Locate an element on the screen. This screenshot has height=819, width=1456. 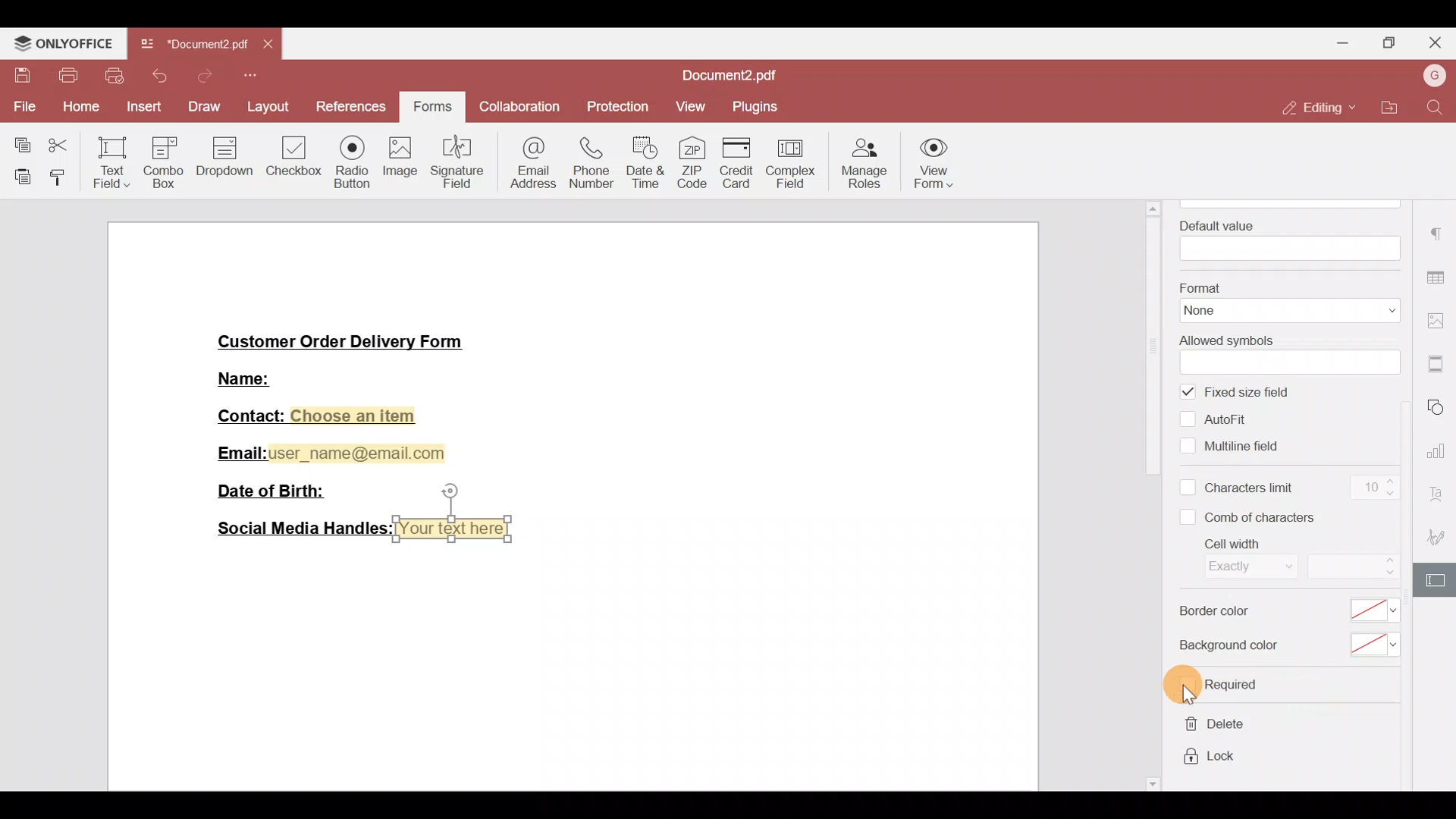
Document2.pdf is located at coordinates (193, 48).